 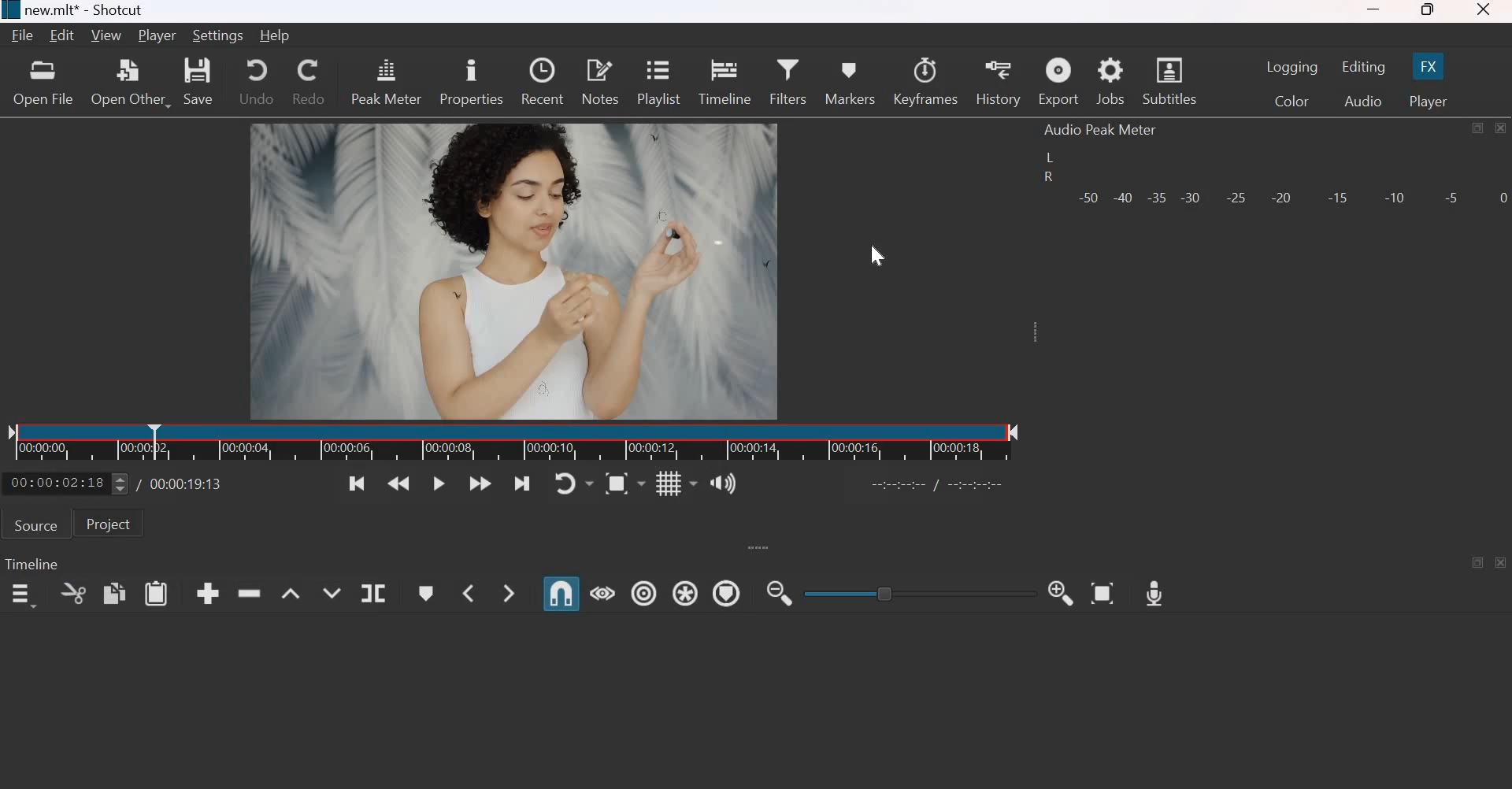 I want to click on Settings, so click(x=220, y=35).